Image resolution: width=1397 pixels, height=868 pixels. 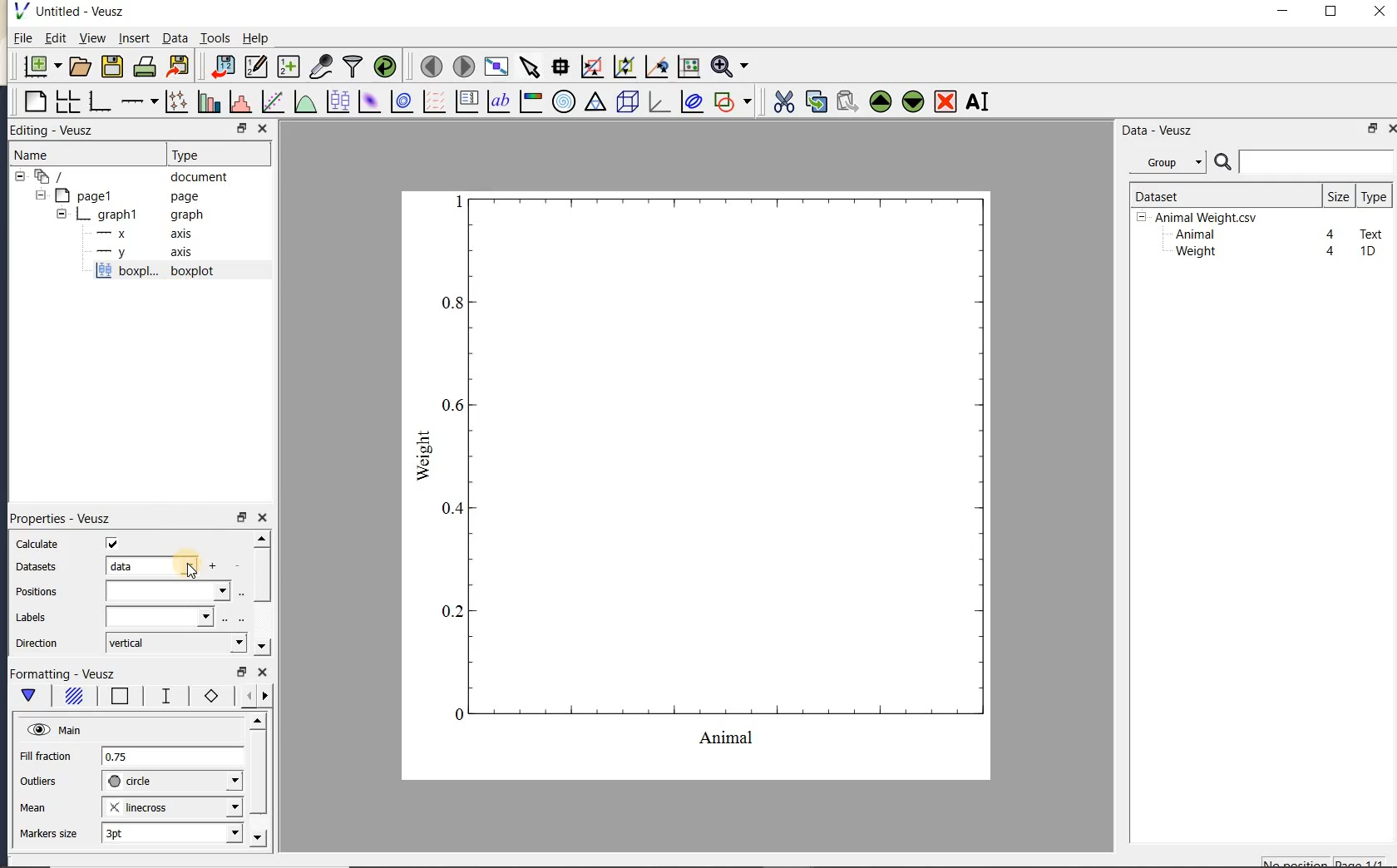 What do you see at coordinates (847, 103) in the screenshot?
I see `paste widget from the clipboard` at bounding box center [847, 103].